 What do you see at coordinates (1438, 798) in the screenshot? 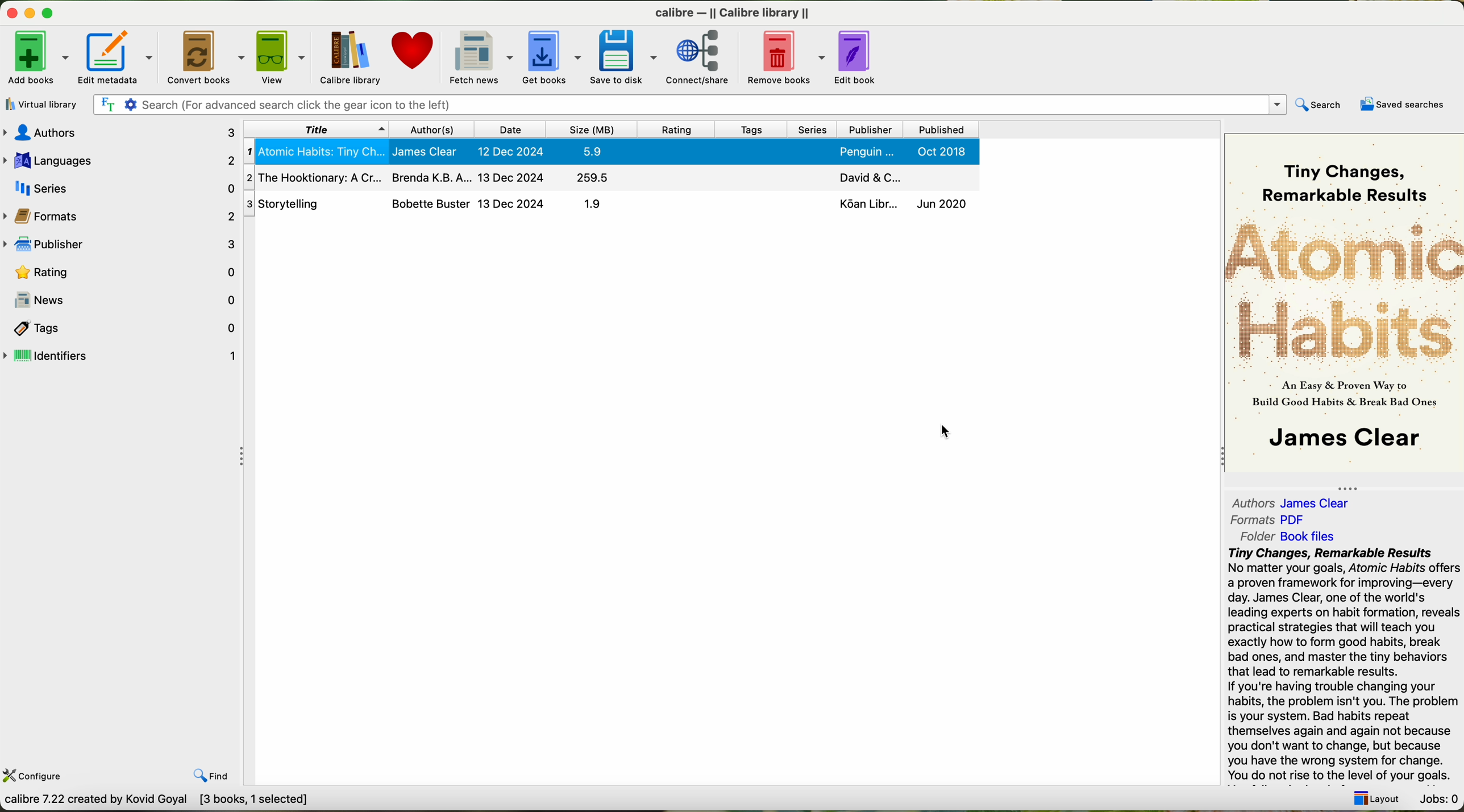
I see `Jobs: 0` at bounding box center [1438, 798].